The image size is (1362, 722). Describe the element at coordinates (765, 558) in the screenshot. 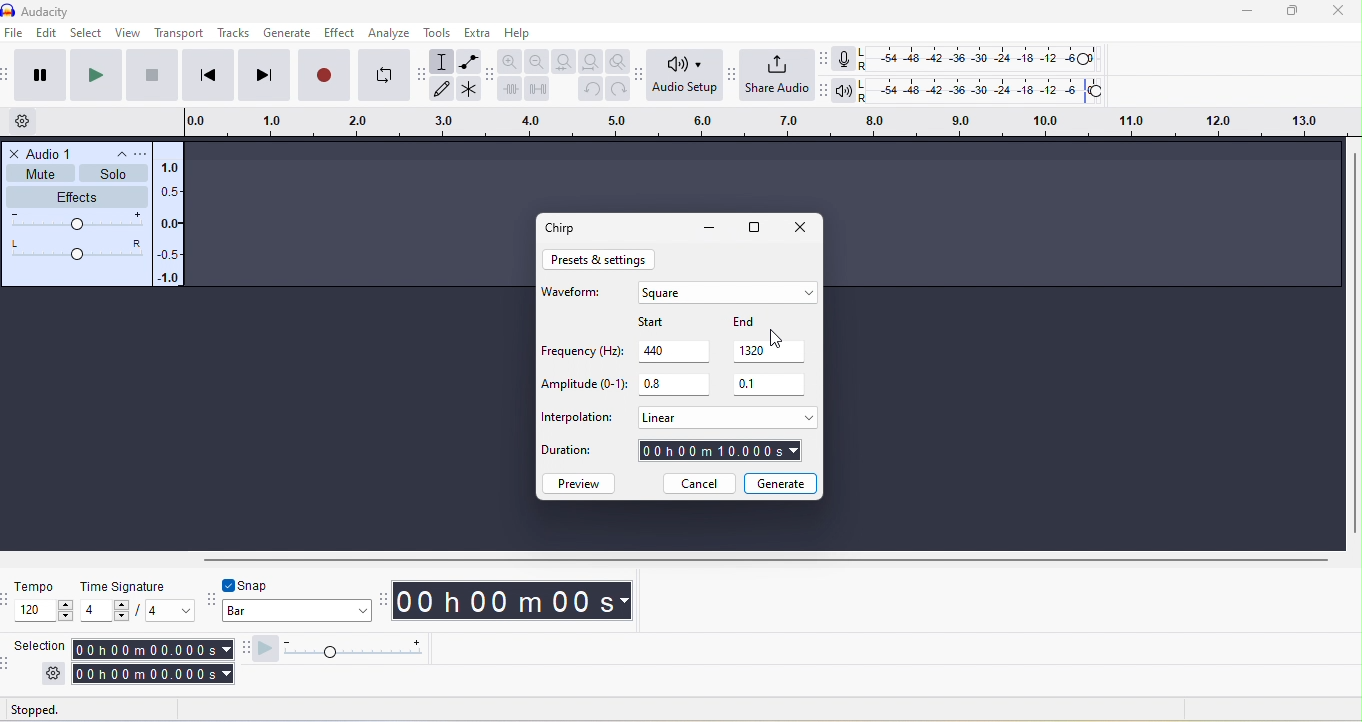

I see `horizontal scroll bar` at that location.